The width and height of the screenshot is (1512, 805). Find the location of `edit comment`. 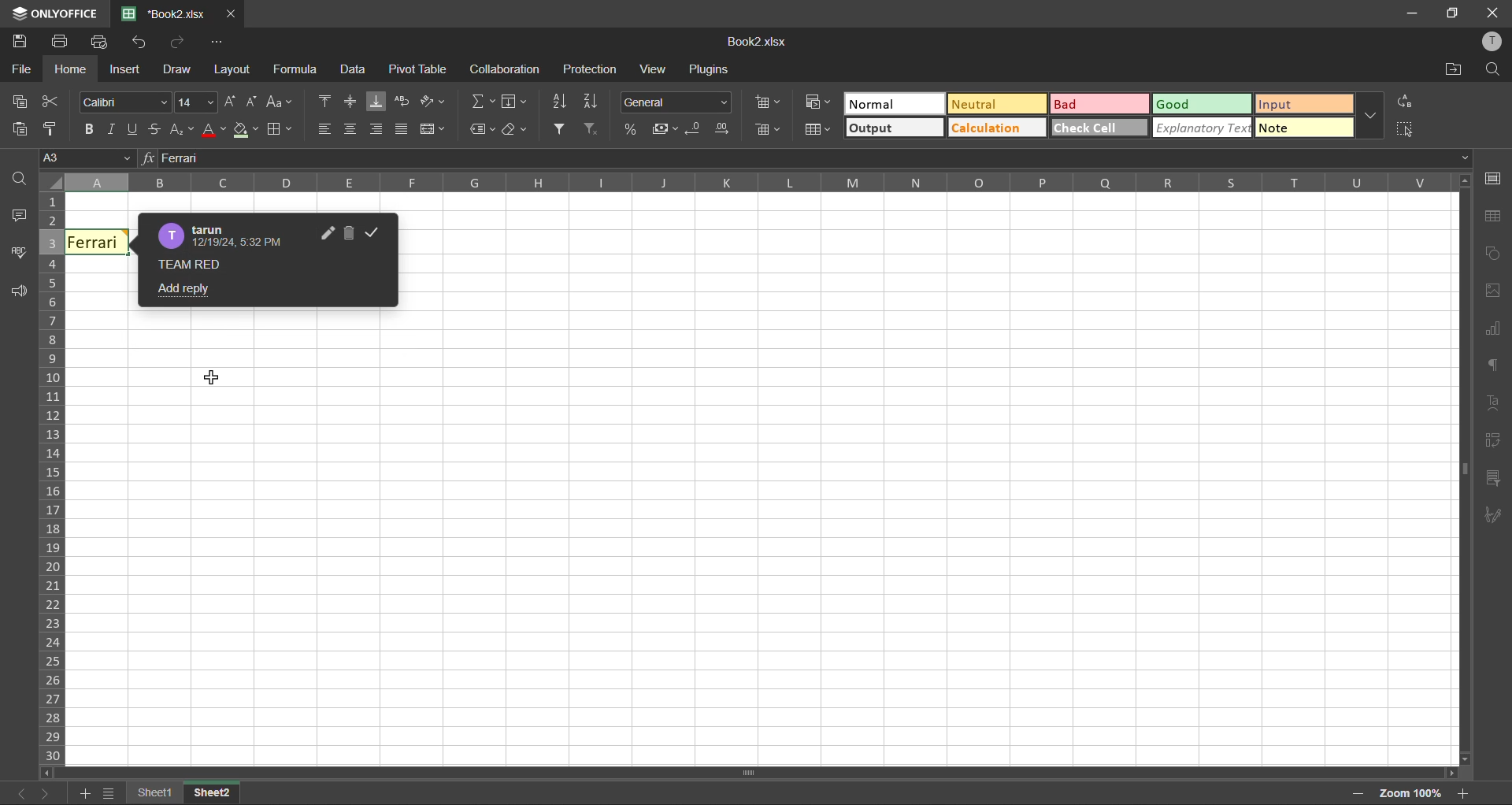

edit comment is located at coordinates (324, 235).